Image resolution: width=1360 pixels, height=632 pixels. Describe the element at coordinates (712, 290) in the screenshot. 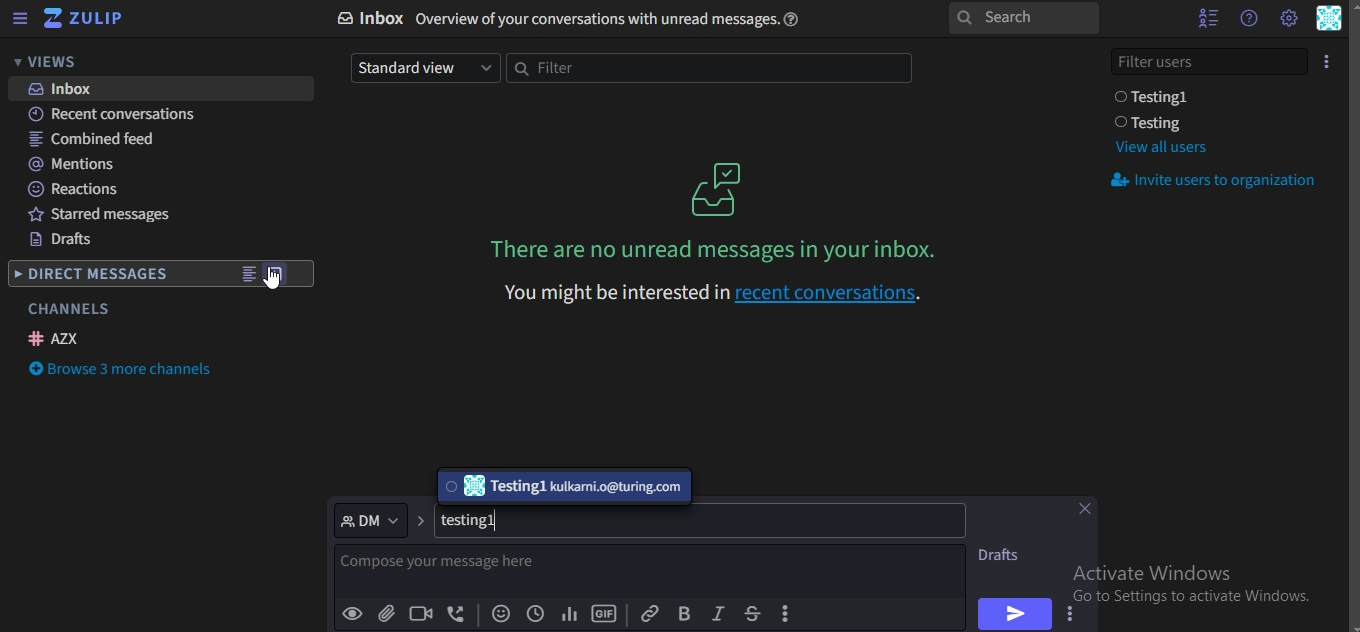

I see `recent conversations.` at that location.